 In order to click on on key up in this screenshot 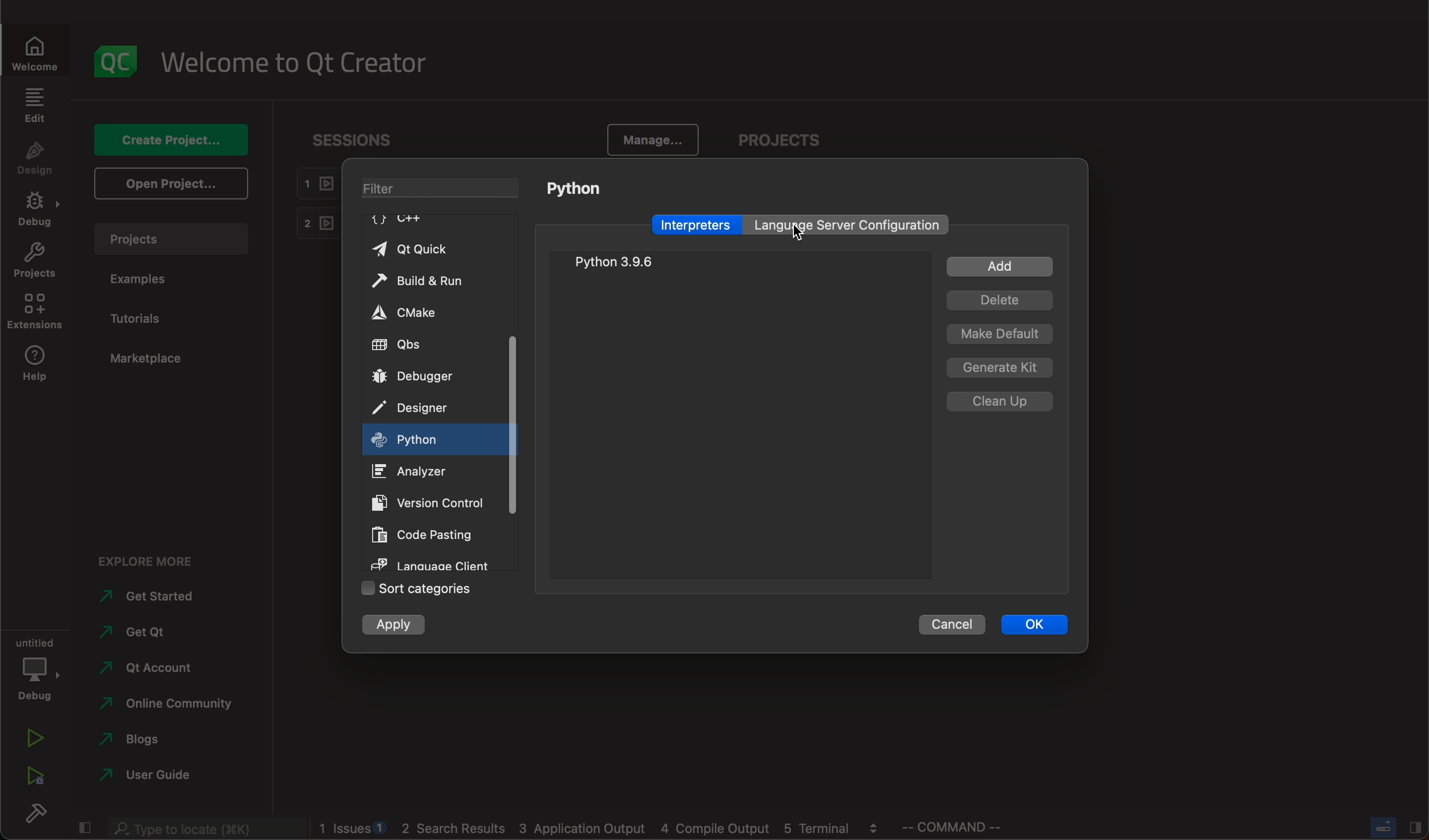, I will do `click(418, 439)`.